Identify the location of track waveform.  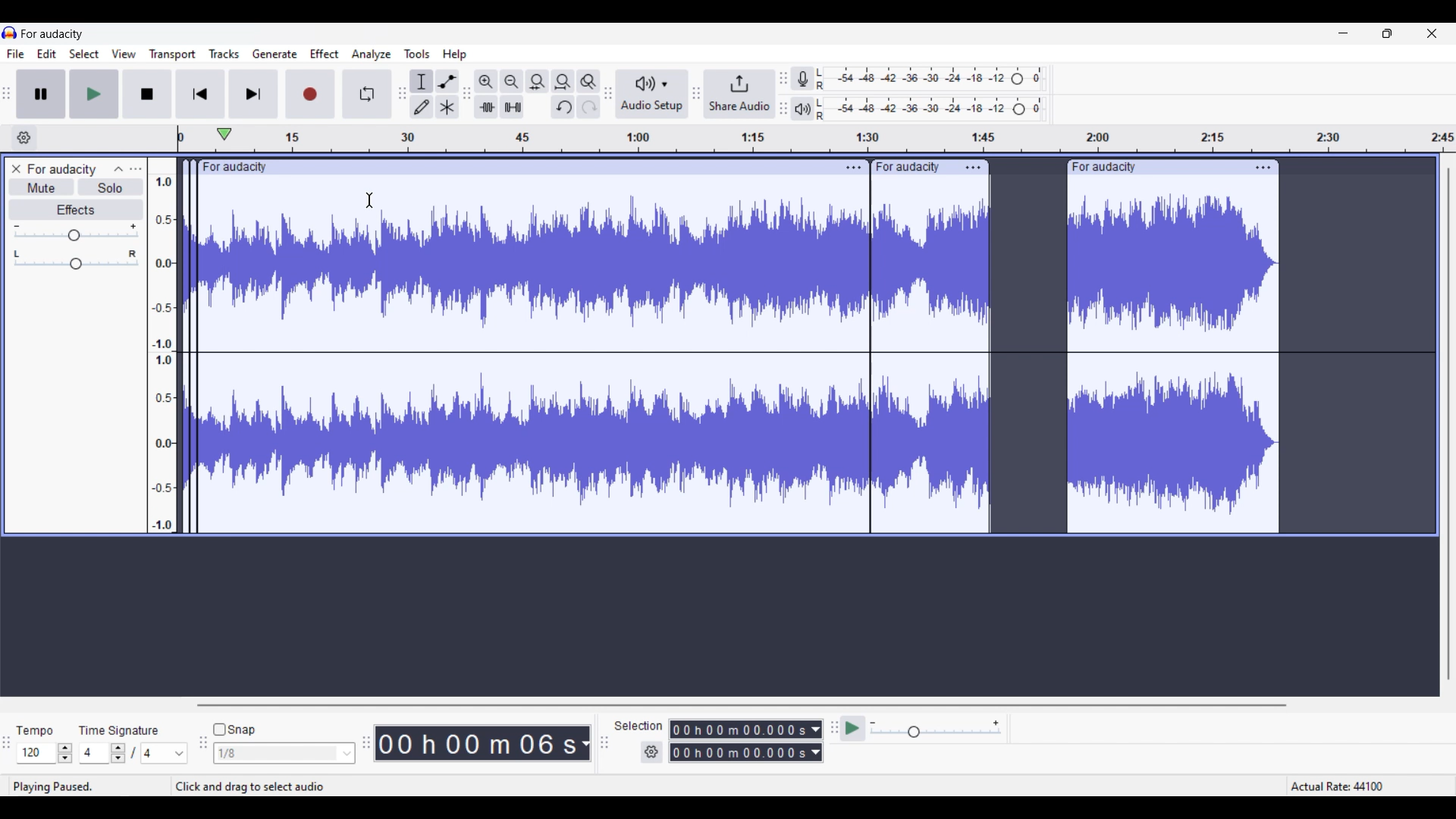
(734, 360).